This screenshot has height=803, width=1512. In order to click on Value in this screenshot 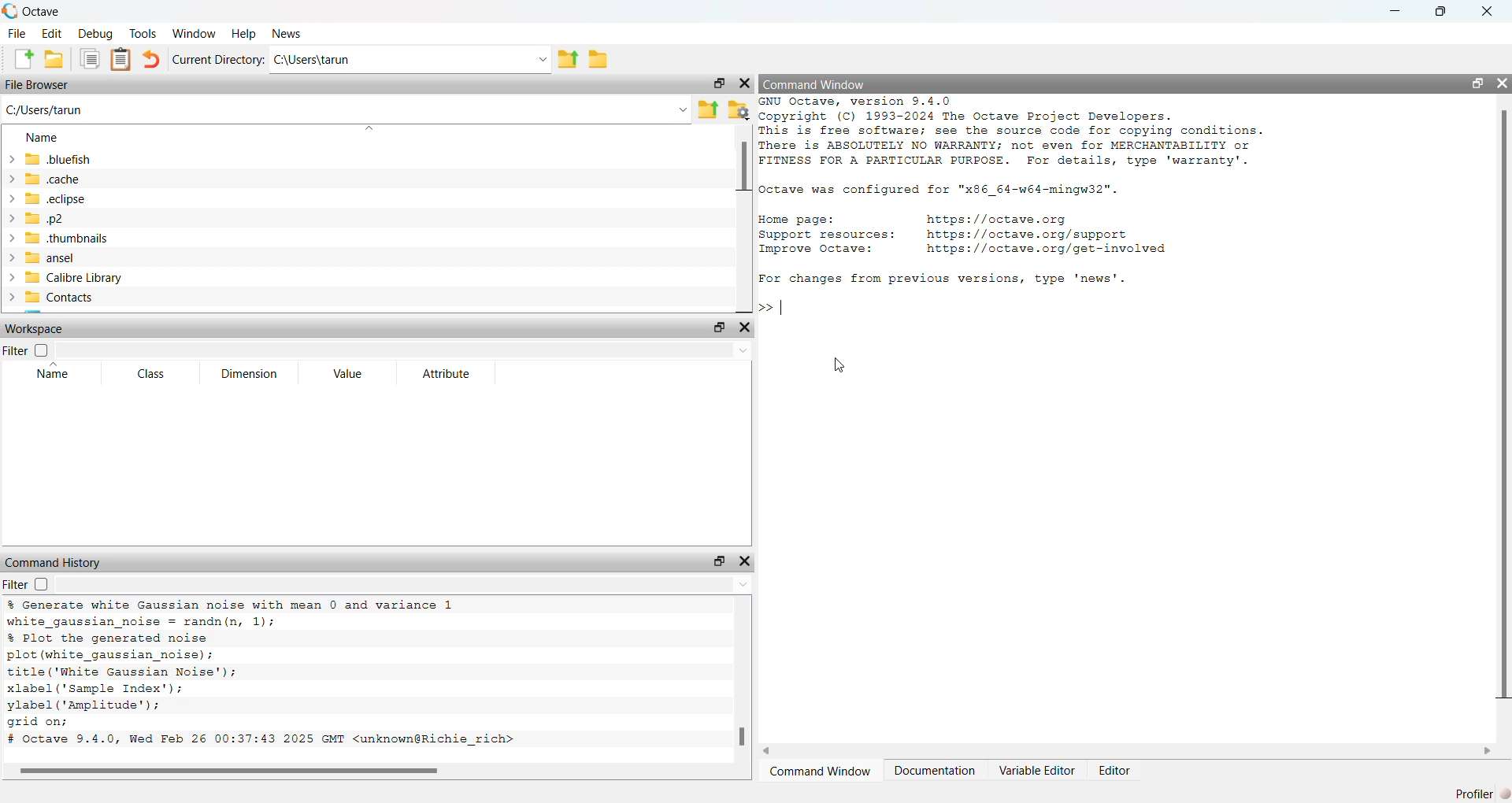, I will do `click(353, 372)`.